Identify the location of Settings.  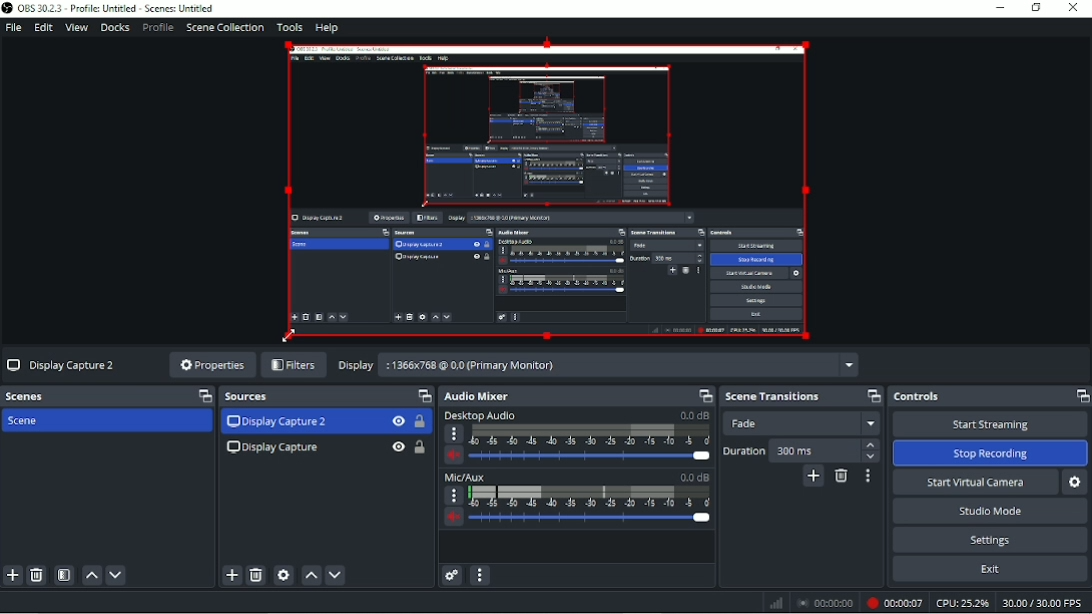
(992, 539).